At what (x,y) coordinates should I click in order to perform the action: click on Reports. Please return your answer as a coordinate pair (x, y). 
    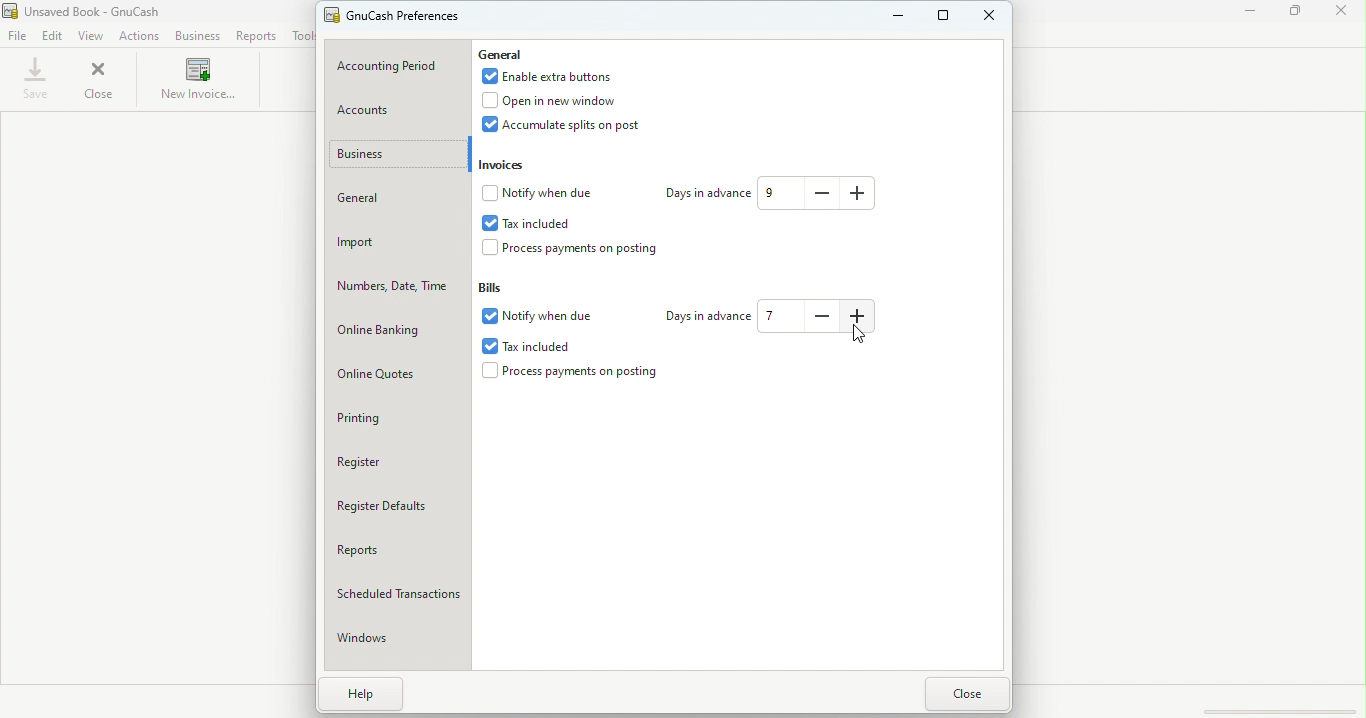
    Looking at the image, I should click on (256, 35).